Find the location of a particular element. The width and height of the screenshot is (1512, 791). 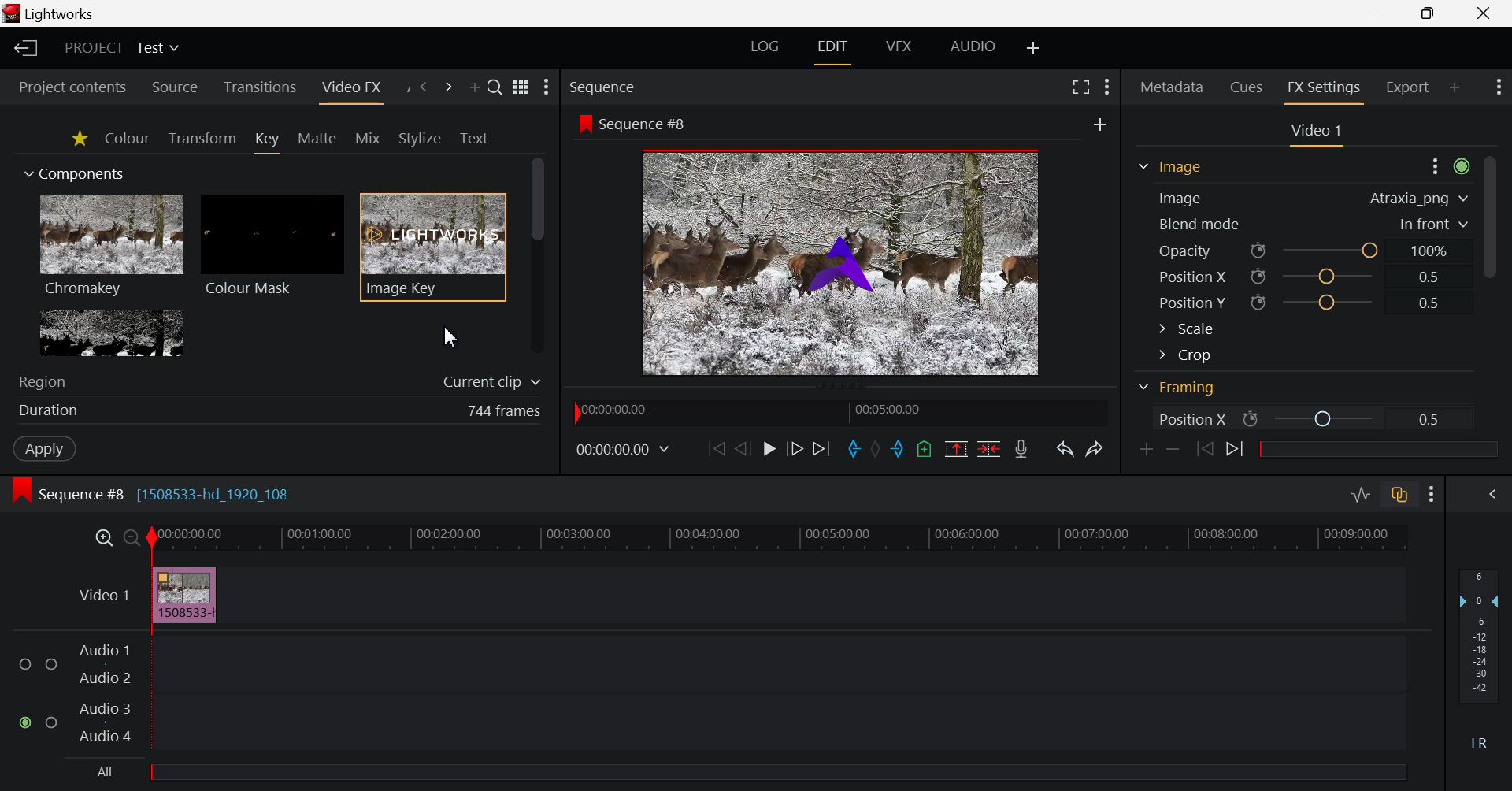

0.5 is located at coordinates (1432, 421).